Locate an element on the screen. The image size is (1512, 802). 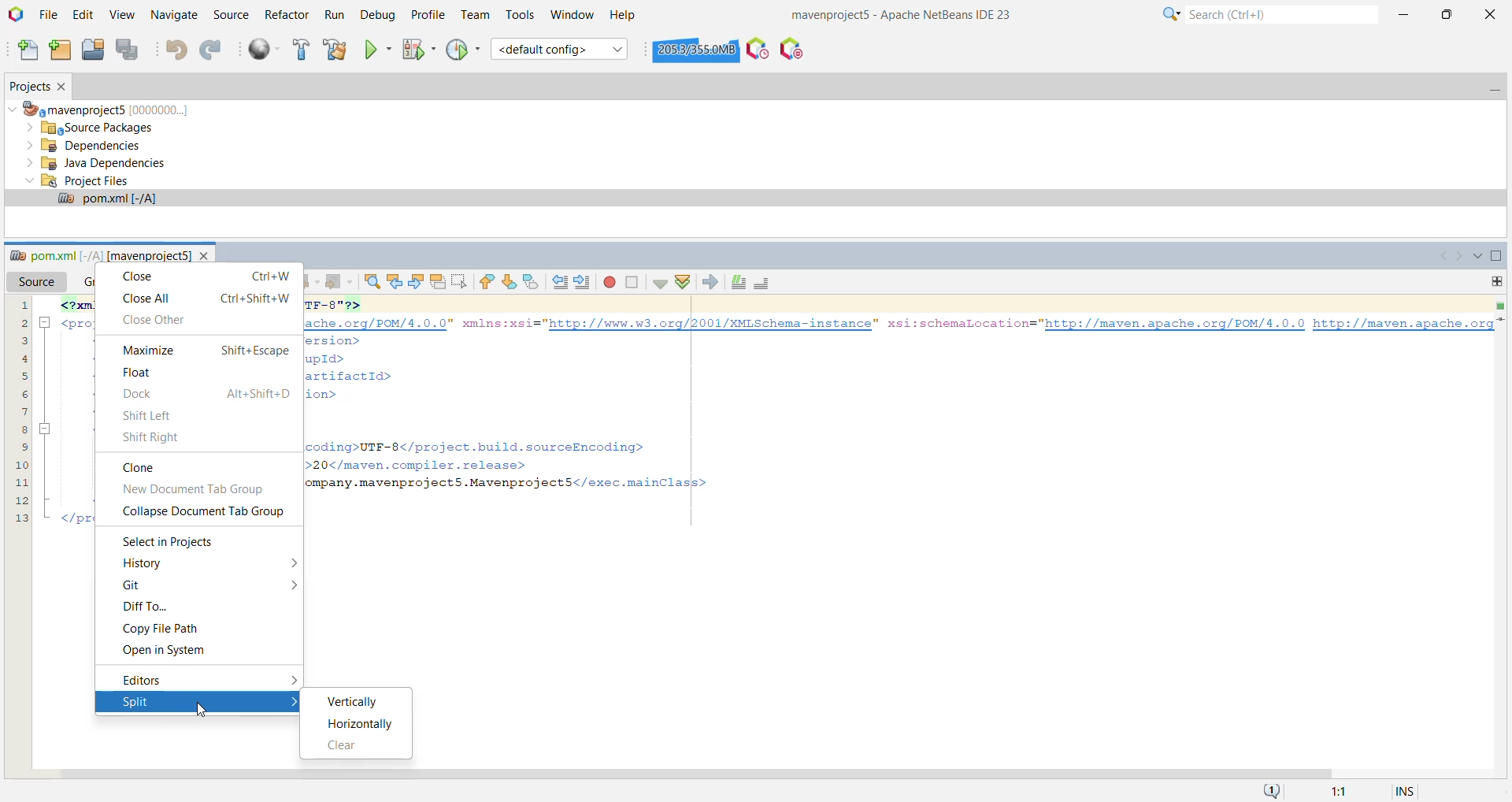
Collapse Document Tab Group is located at coordinates (208, 512).